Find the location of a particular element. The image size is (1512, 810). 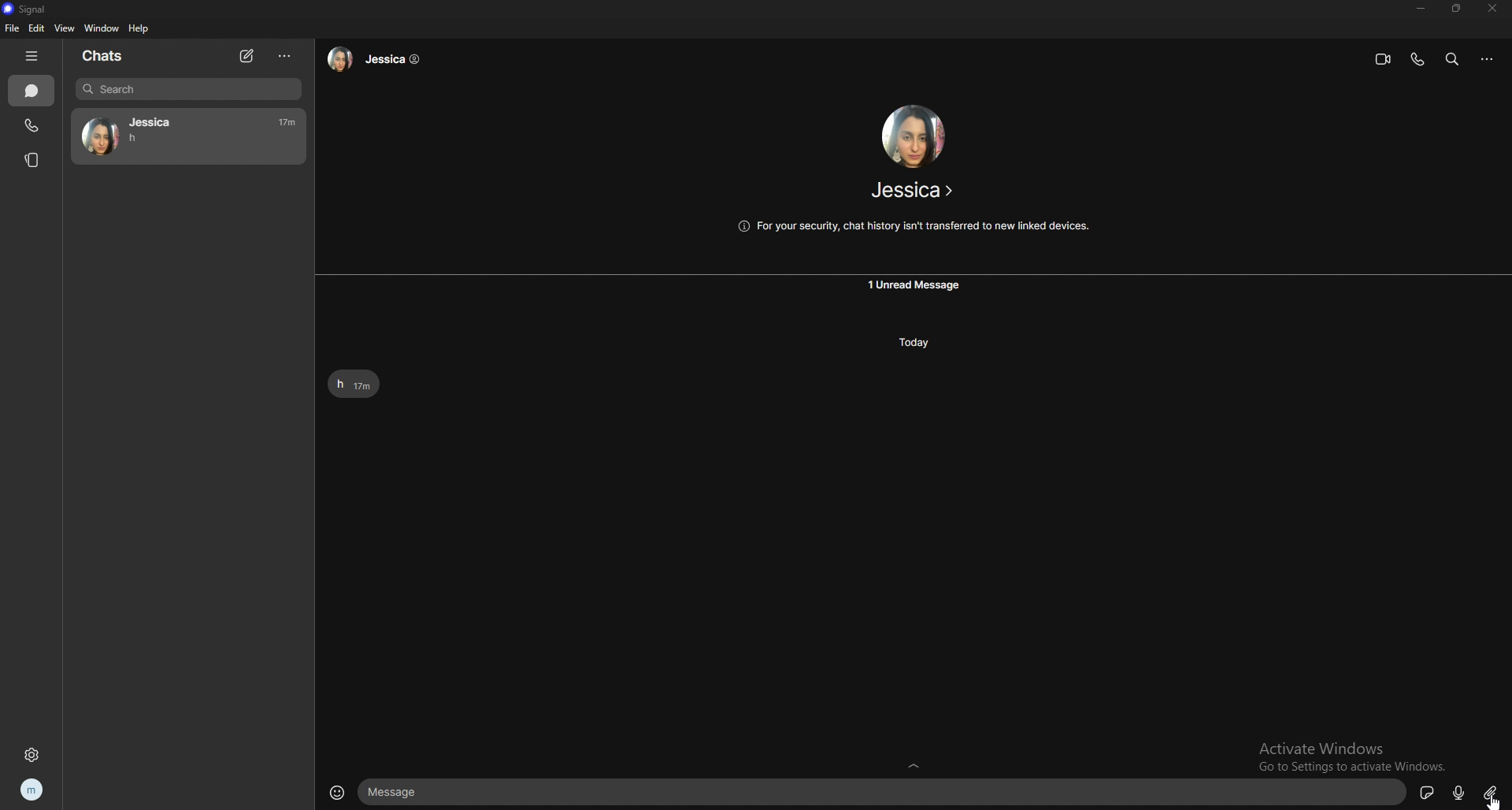

Jessica © is located at coordinates (376, 65).